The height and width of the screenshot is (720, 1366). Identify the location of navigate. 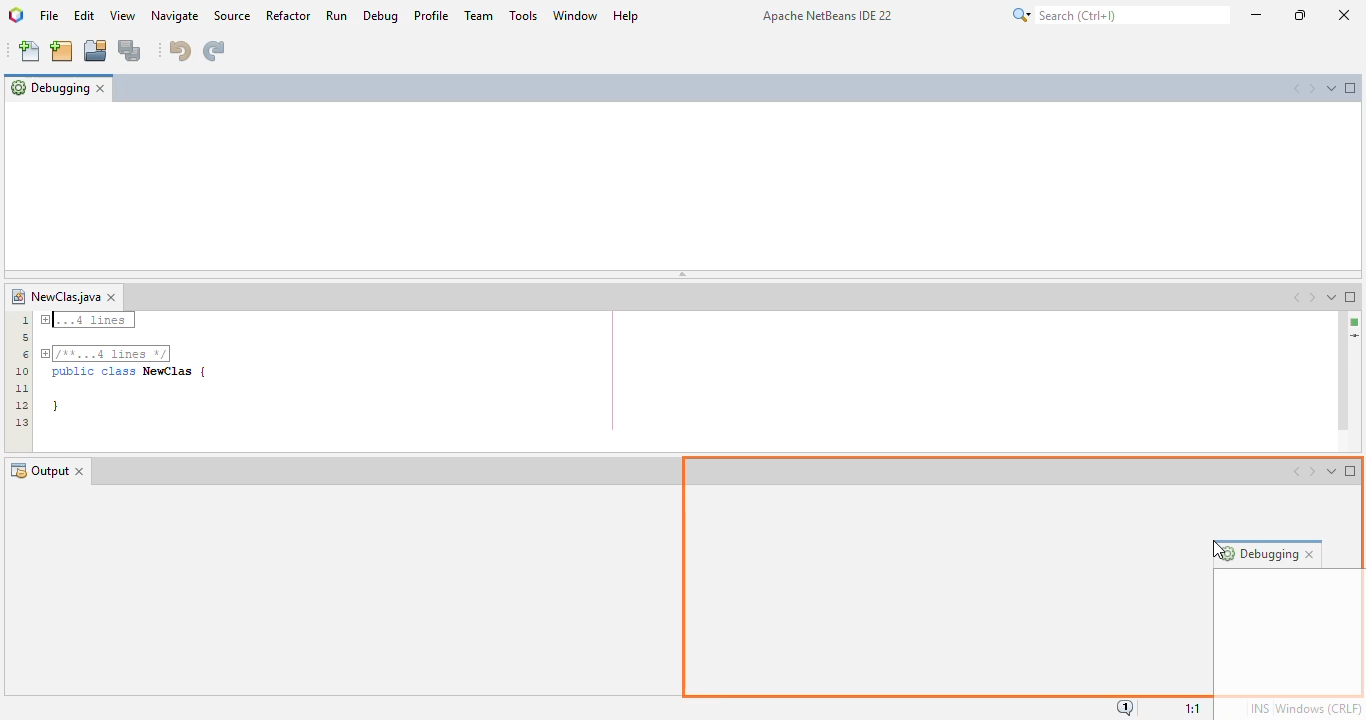
(176, 16).